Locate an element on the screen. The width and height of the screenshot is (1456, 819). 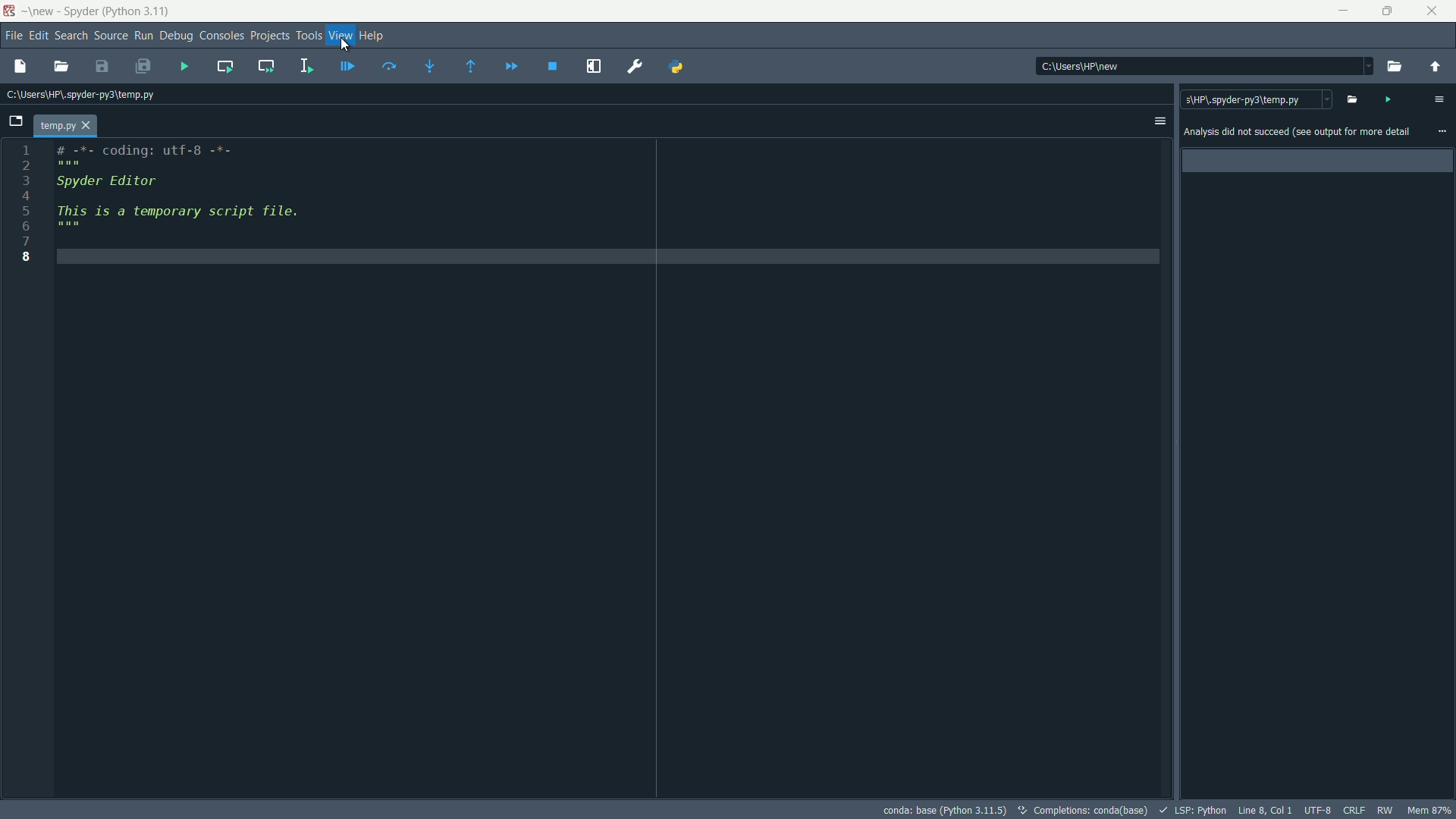
8 is located at coordinates (28, 260).